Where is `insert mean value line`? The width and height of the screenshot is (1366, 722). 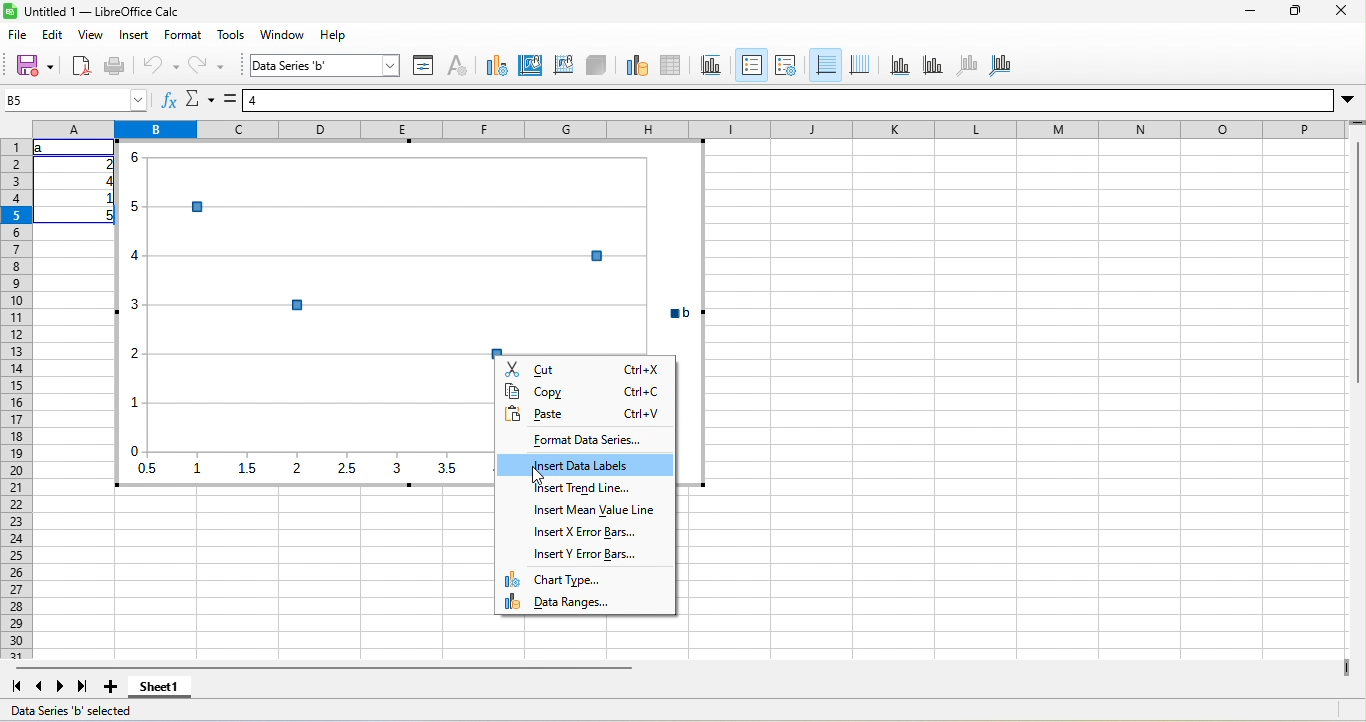 insert mean value line is located at coordinates (584, 510).